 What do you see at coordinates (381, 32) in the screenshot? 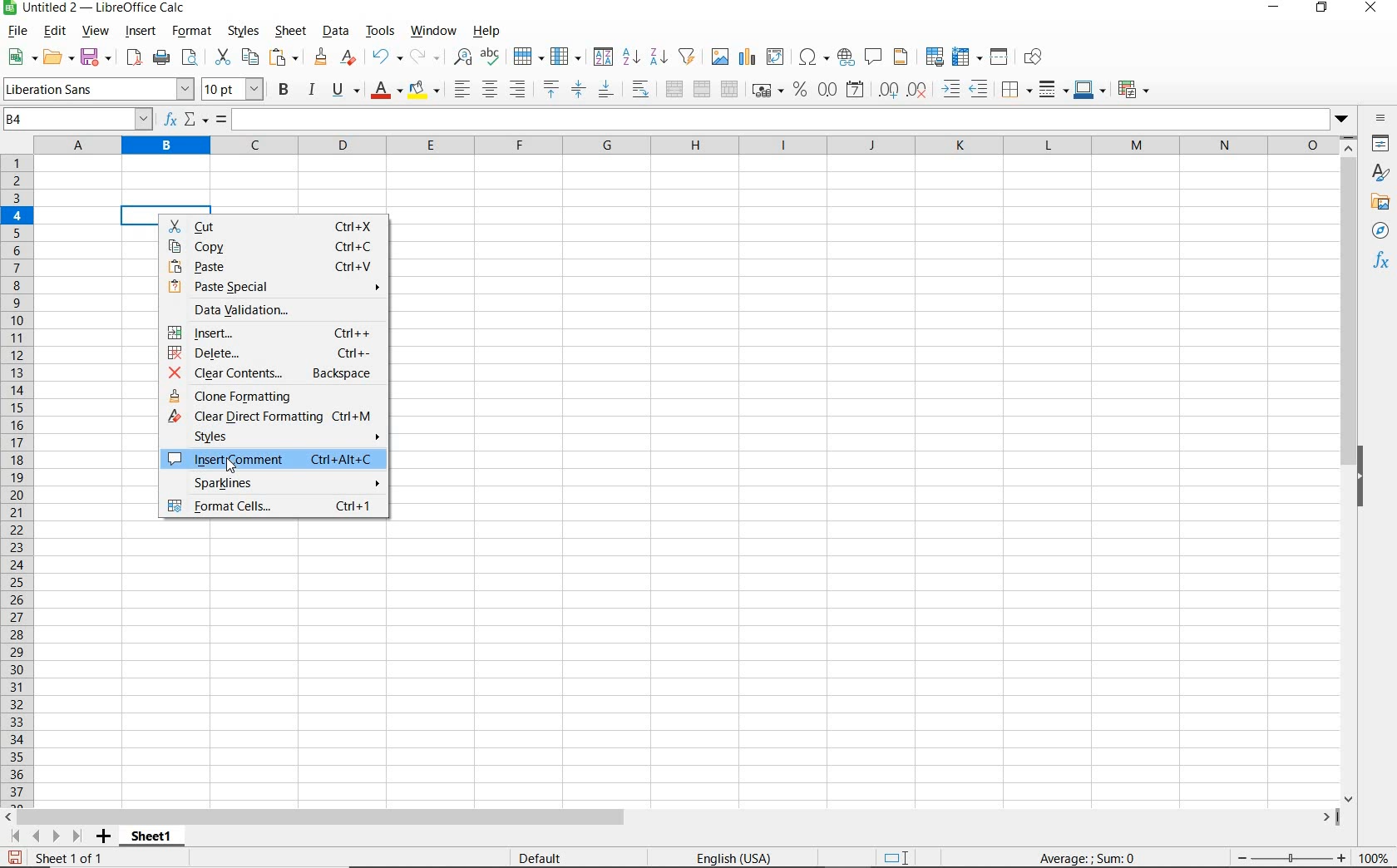
I see `tools` at bounding box center [381, 32].